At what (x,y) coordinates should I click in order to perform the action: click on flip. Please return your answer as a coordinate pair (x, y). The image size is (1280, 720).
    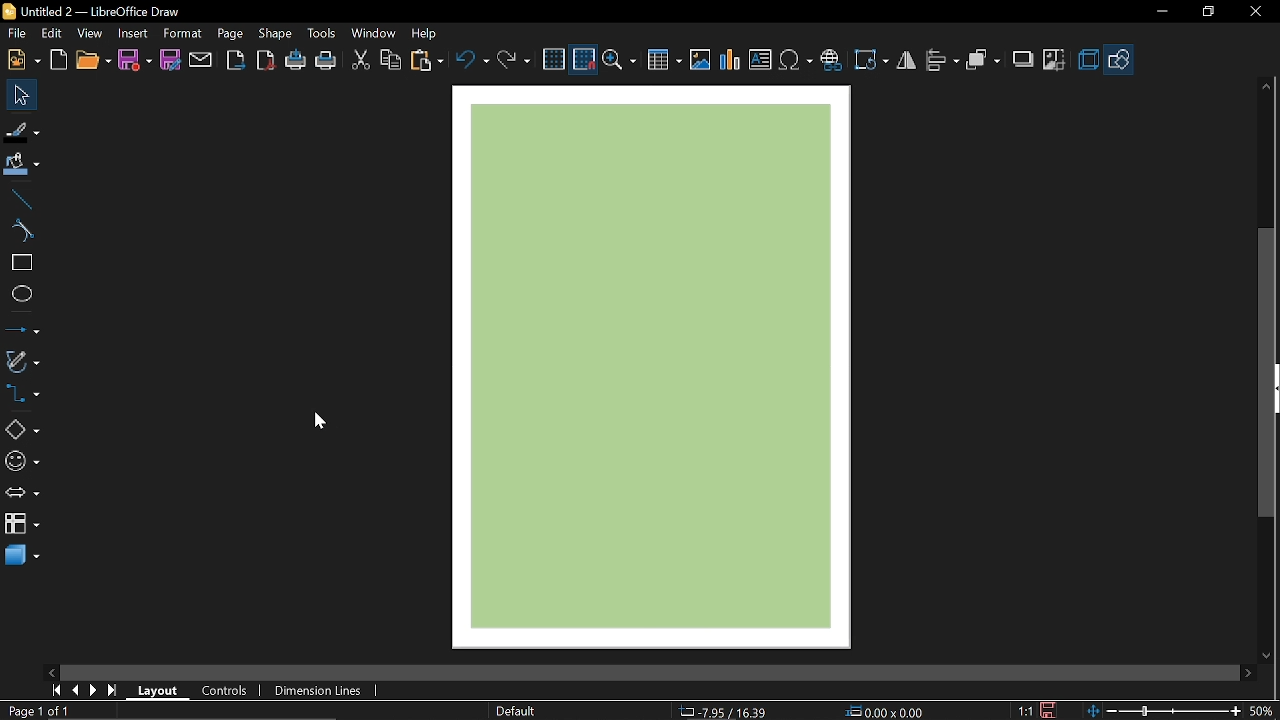
    Looking at the image, I should click on (906, 61).